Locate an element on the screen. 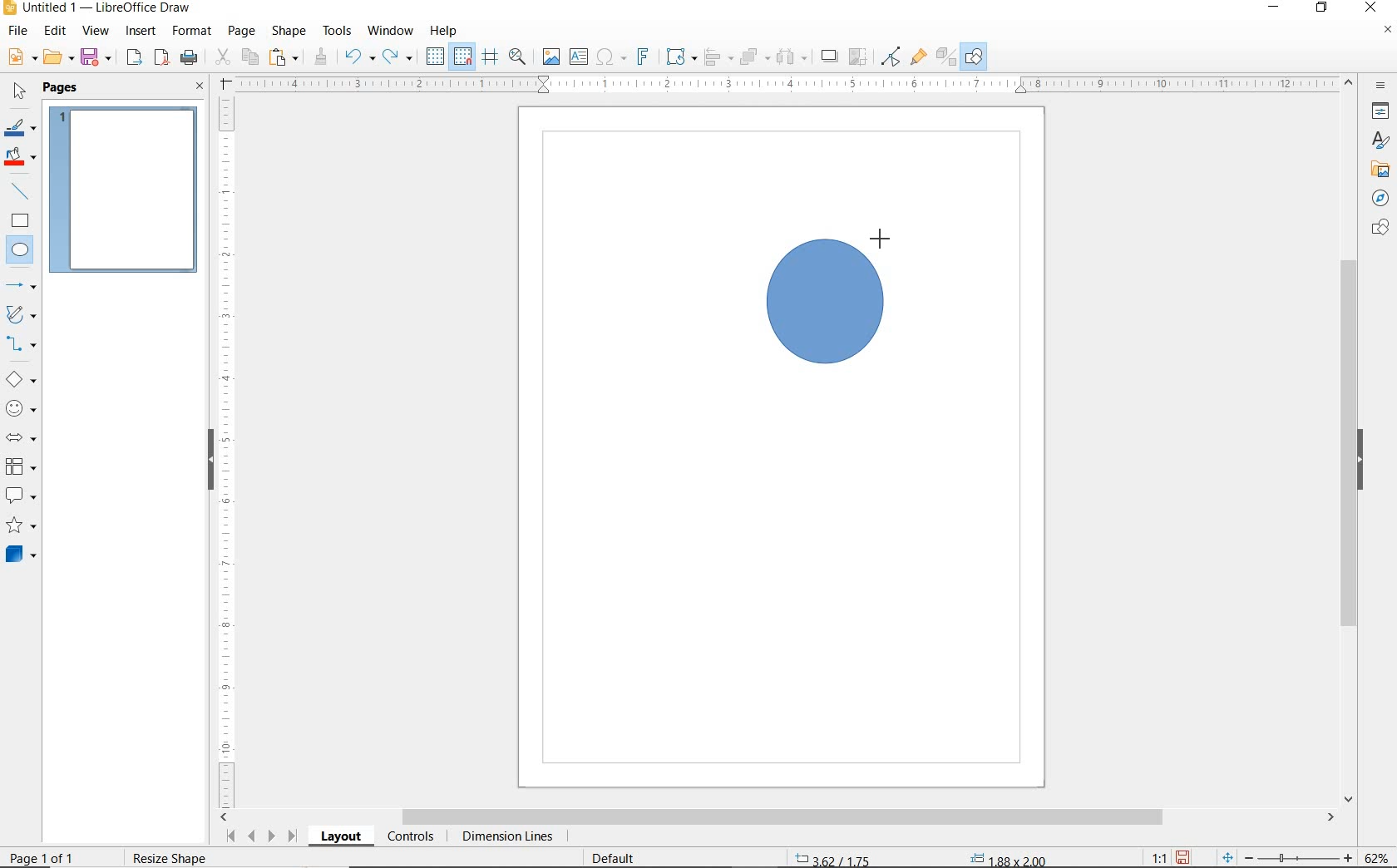 The image size is (1397, 868). NEW is located at coordinates (20, 57).